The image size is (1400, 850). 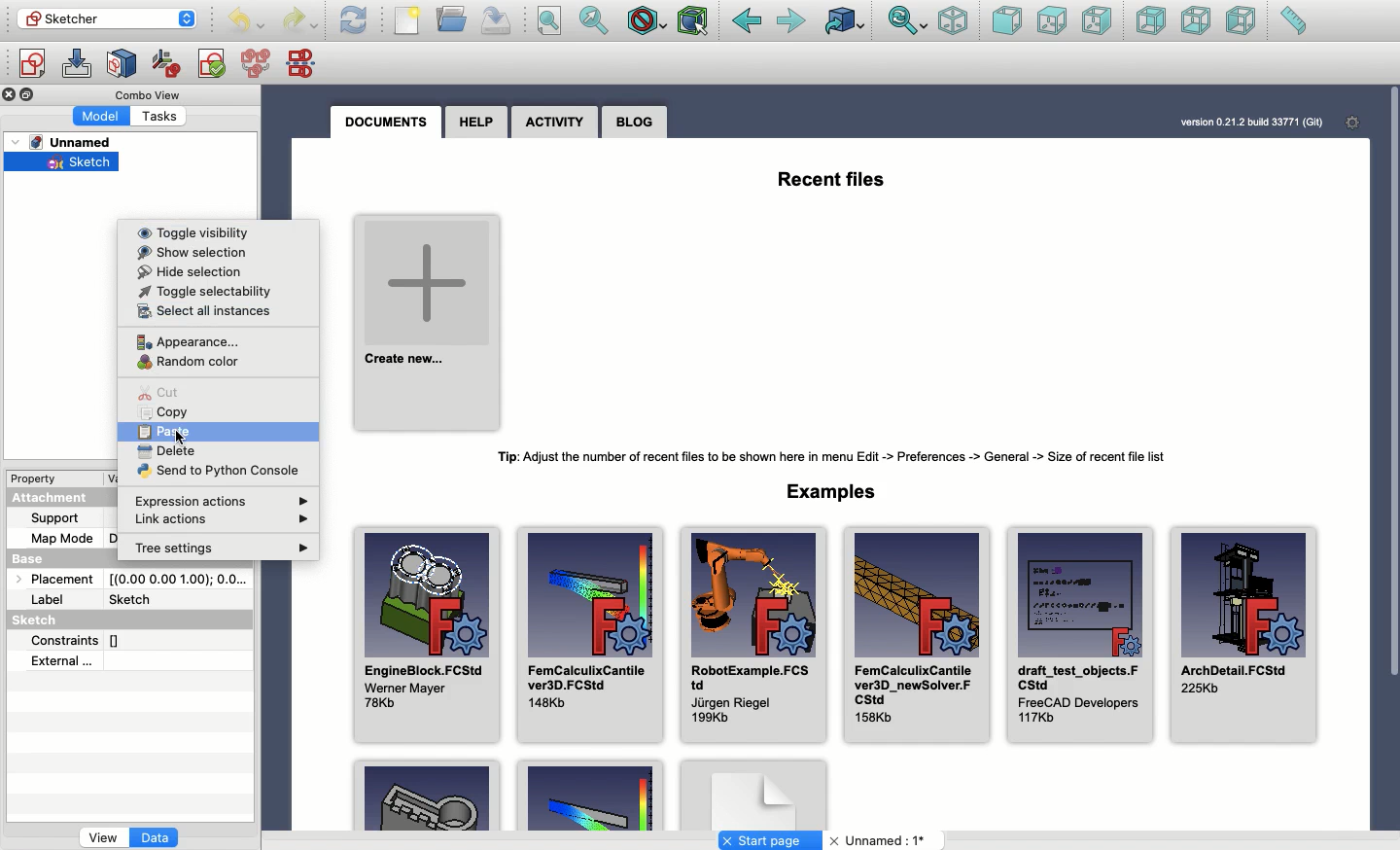 I want to click on View, so click(x=103, y=839).